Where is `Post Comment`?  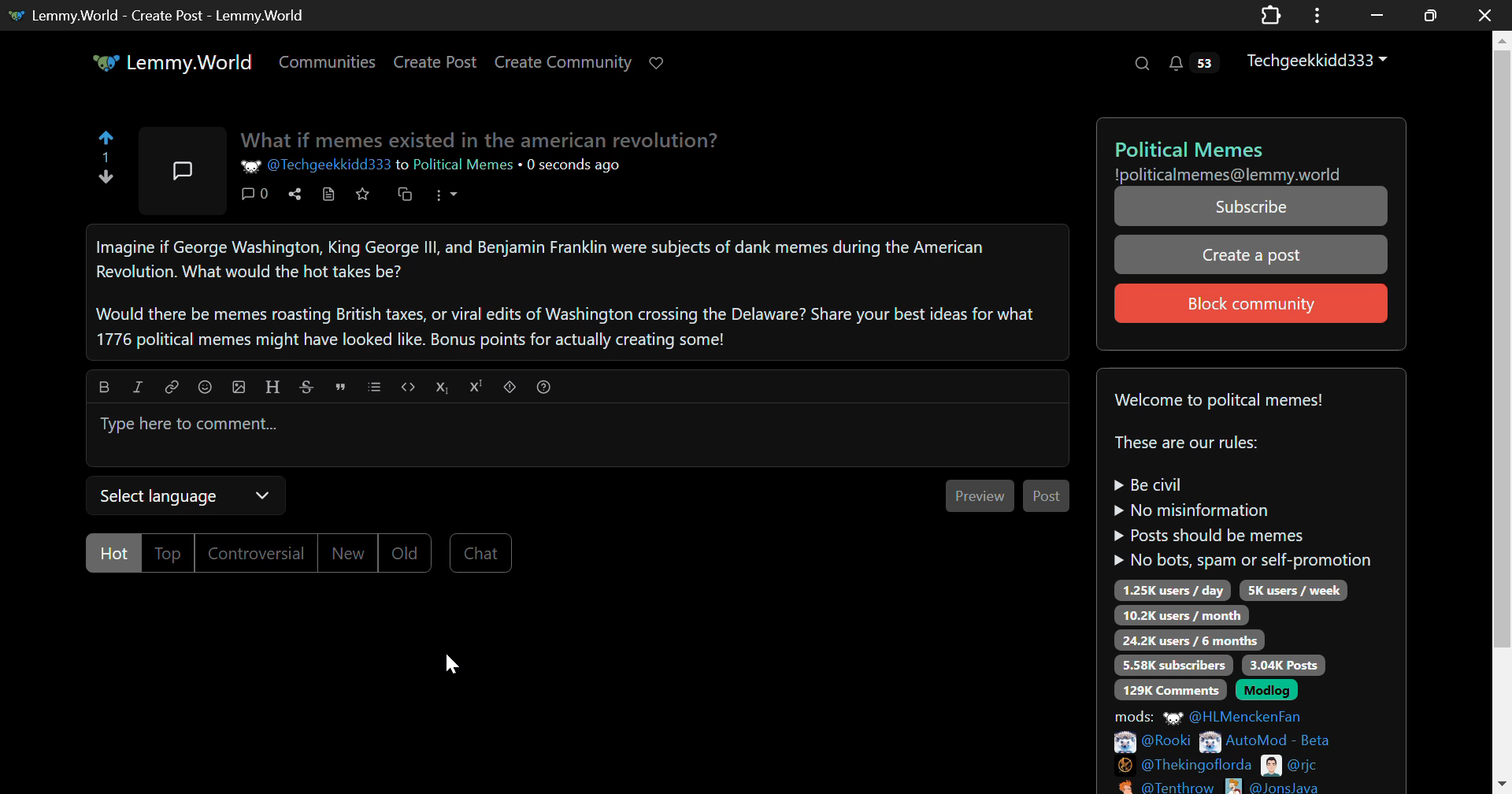
Post Comment is located at coordinates (1047, 496).